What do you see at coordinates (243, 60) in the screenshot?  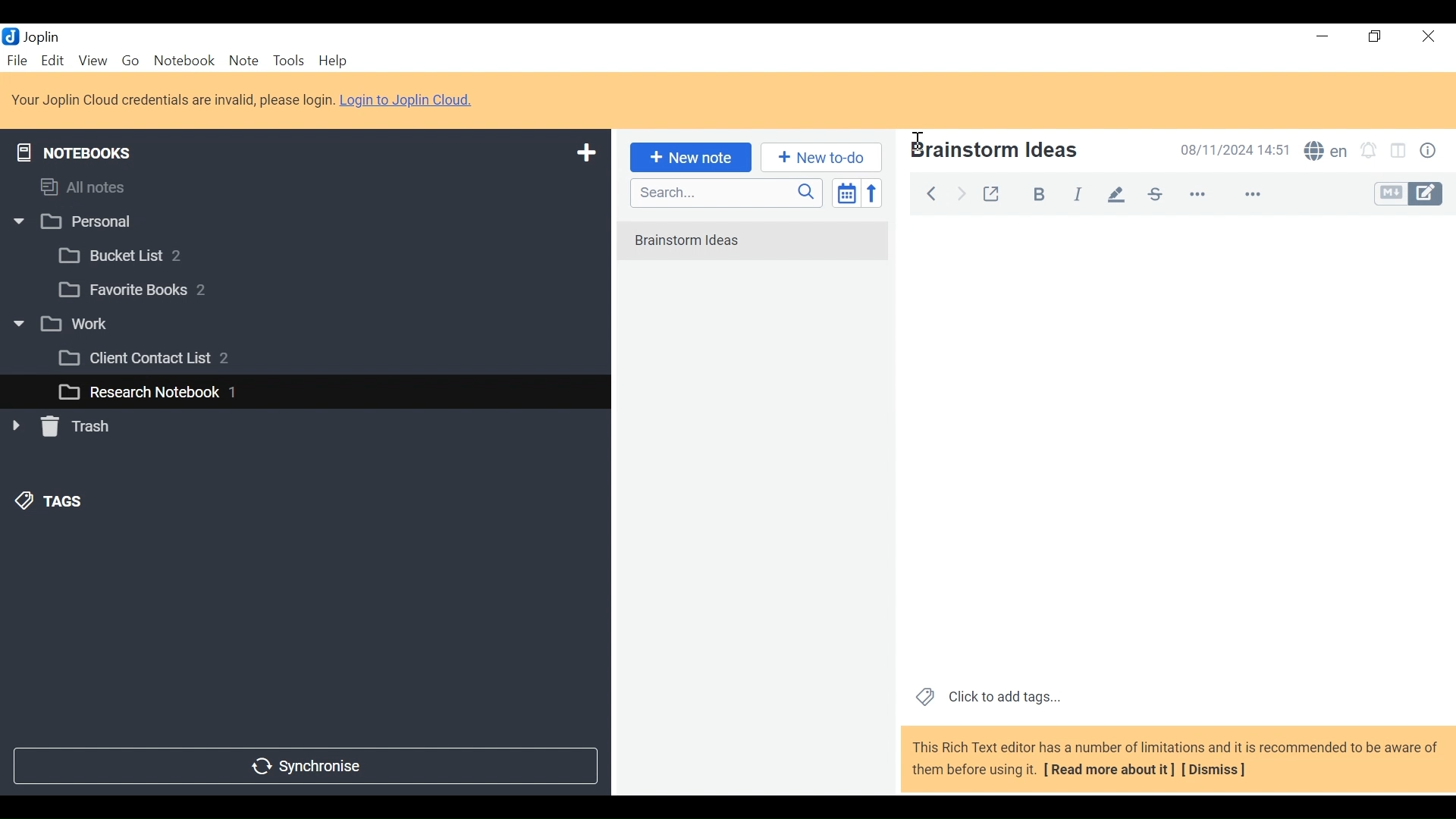 I see `Note` at bounding box center [243, 60].